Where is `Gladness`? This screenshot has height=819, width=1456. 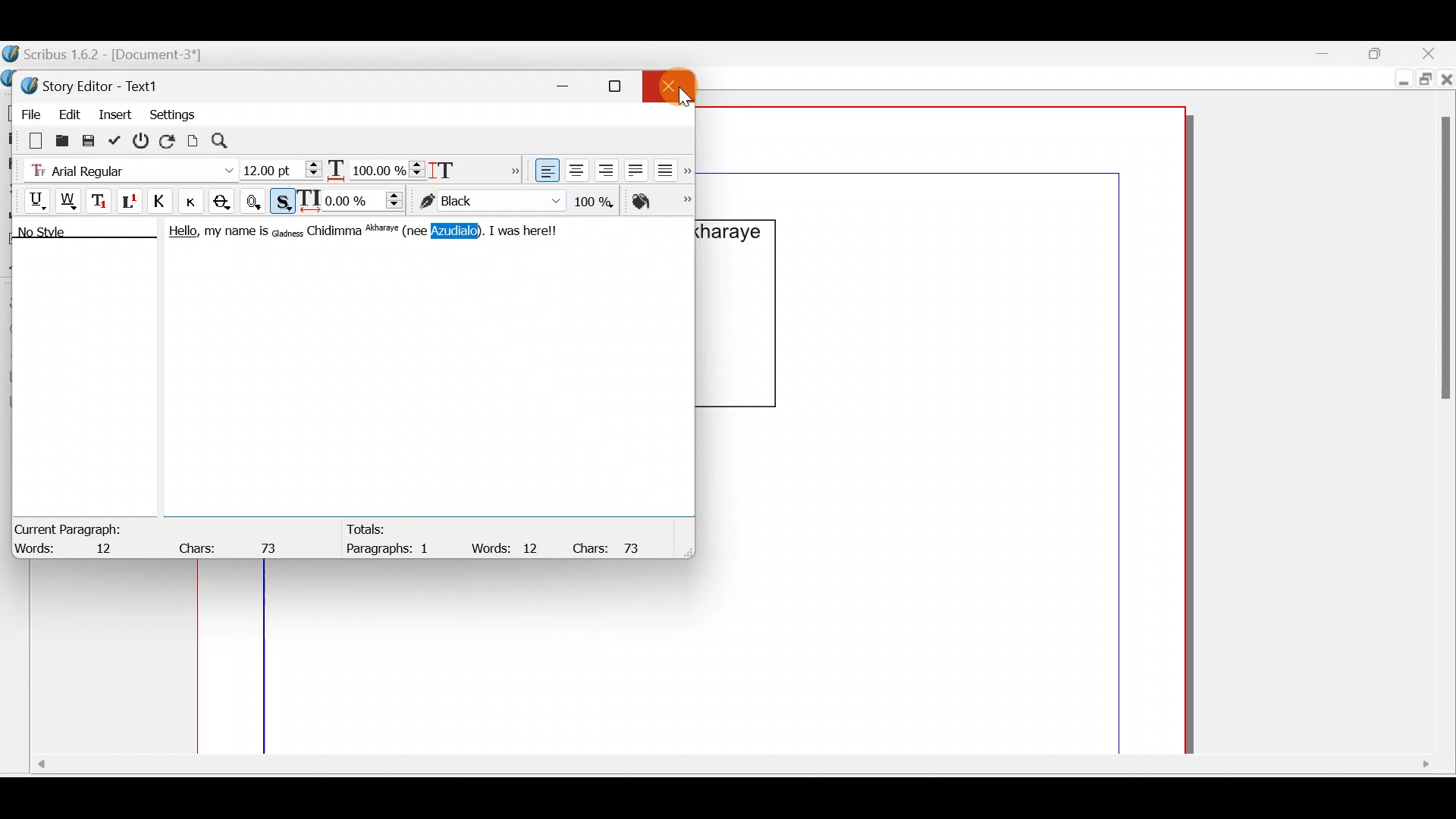 Gladness is located at coordinates (287, 231).